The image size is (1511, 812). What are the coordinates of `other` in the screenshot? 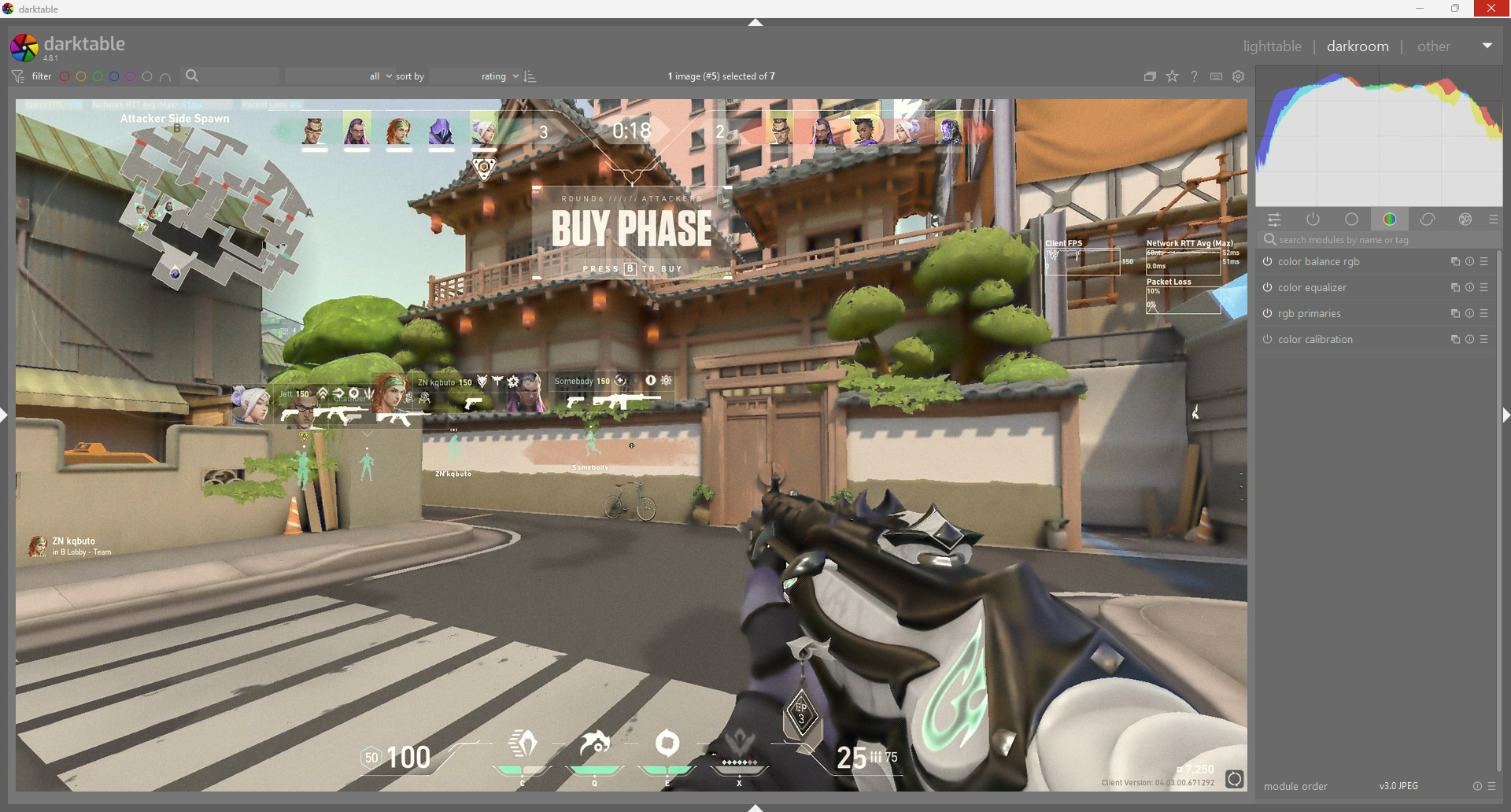 It's located at (1456, 46).